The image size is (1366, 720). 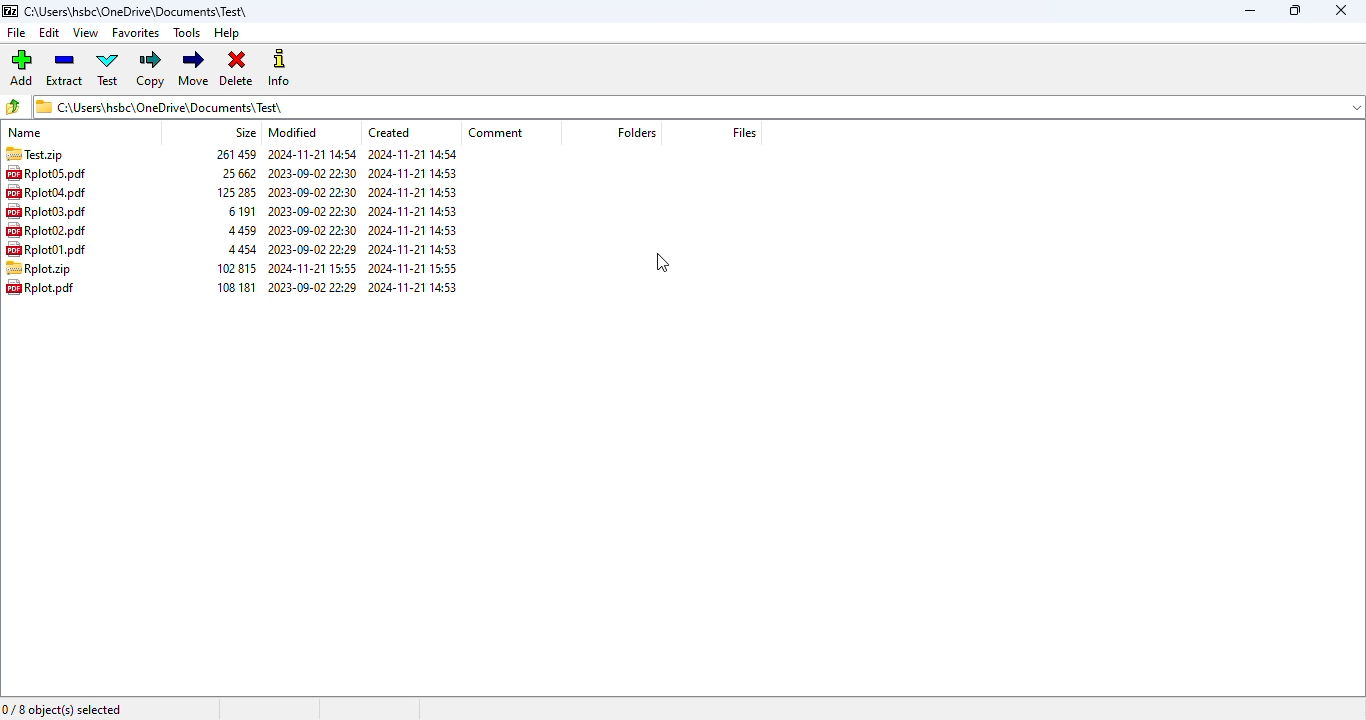 I want to click on minimize, so click(x=1251, y=11).